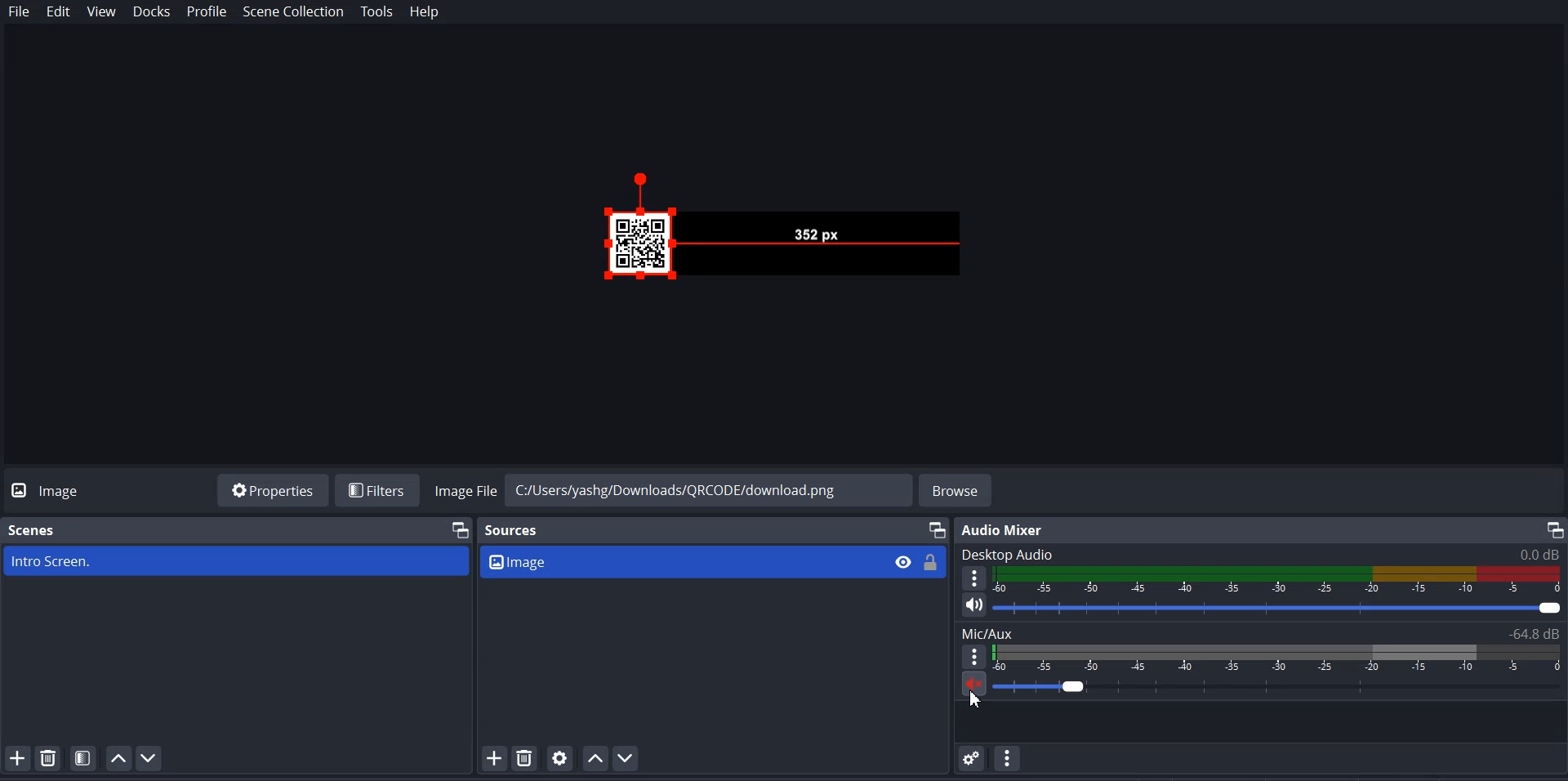 This screenshot has height=781, width=1568. I want to click on Move scene Down, so click(149, 757).